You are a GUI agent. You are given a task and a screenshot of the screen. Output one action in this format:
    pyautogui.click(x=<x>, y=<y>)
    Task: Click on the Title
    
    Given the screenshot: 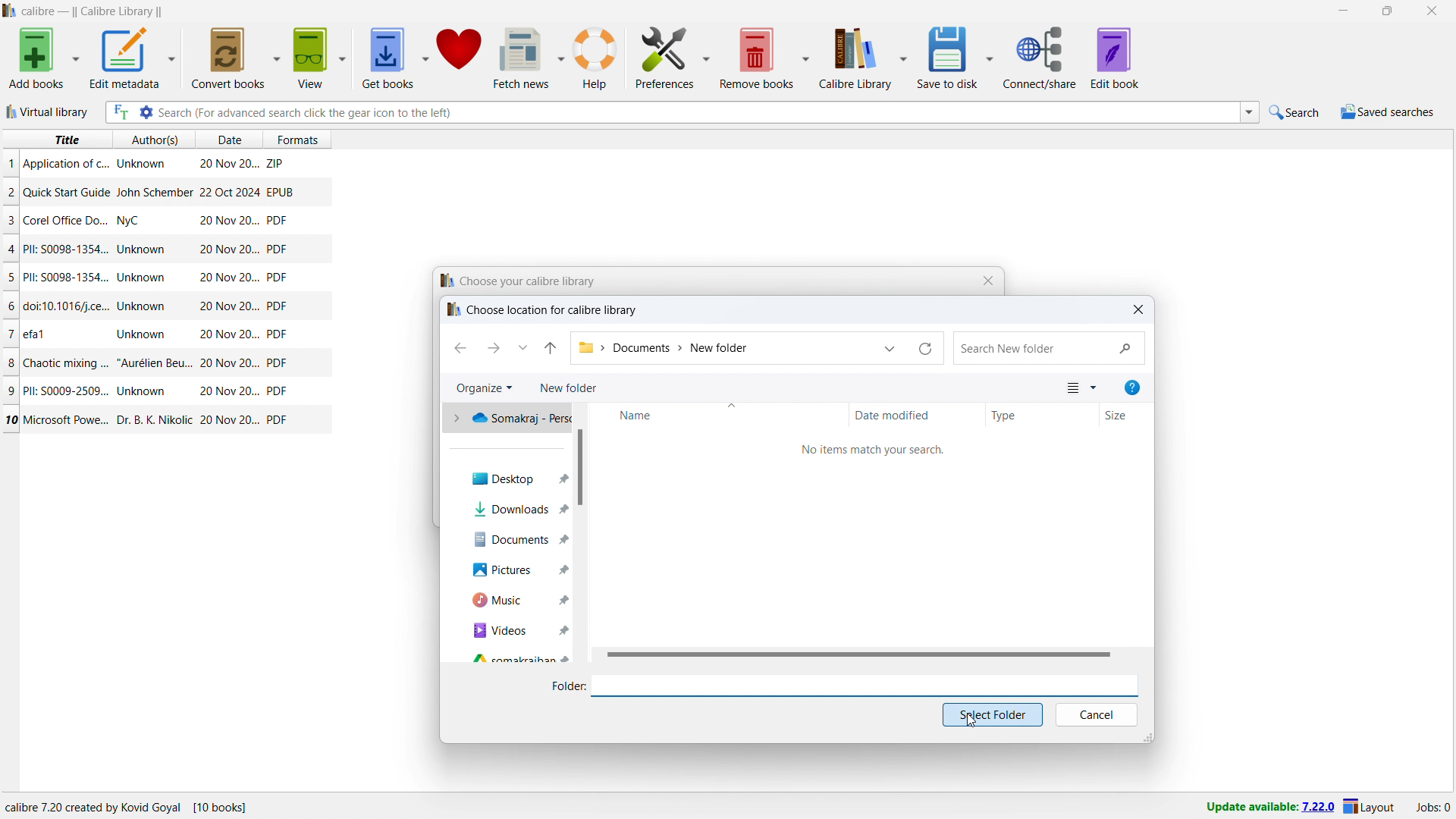 What is the action you would take?
    pyautogui.click(x=67, y=192)
    